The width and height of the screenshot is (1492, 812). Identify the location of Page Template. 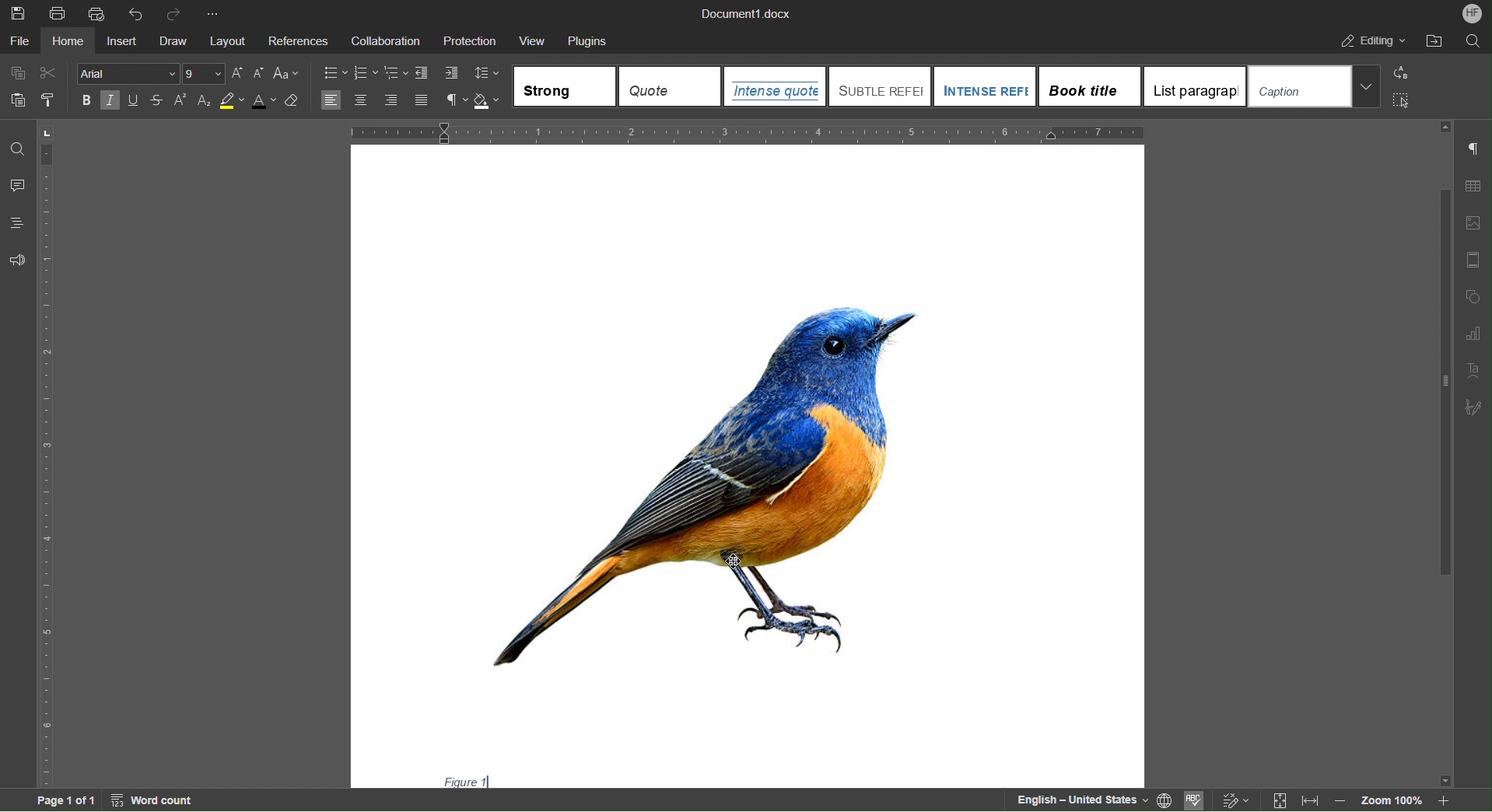
(1473, 257).